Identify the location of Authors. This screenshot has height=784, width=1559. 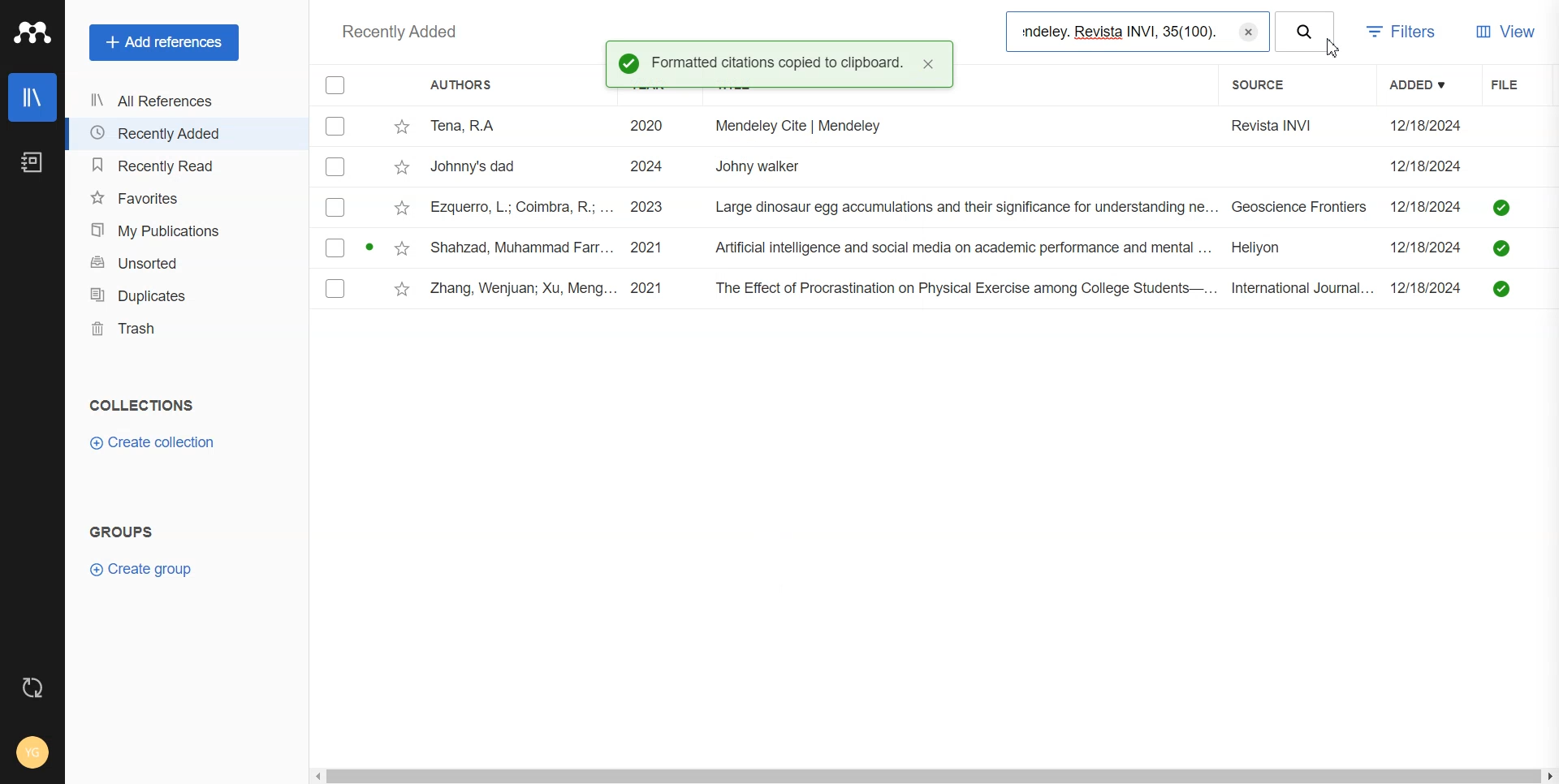
(460, 84).